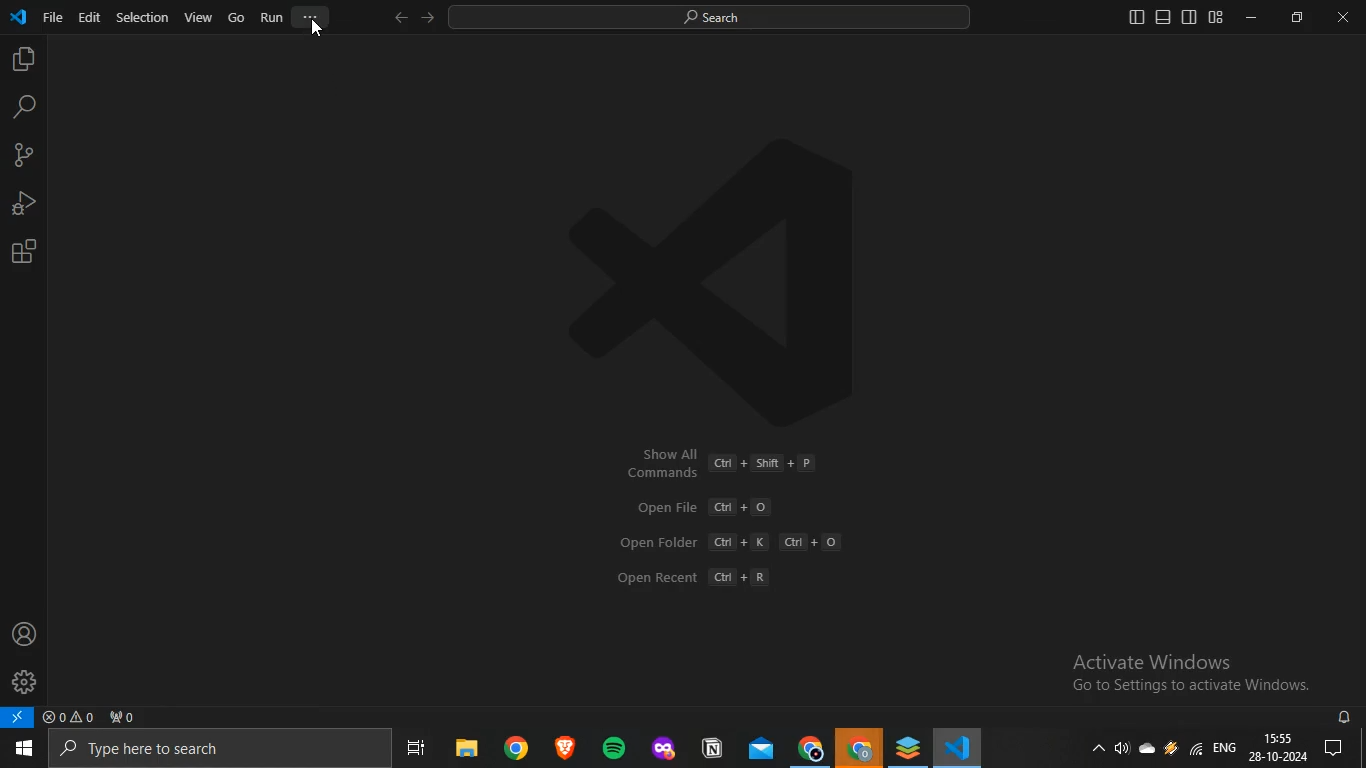 This screenshot has width=1366, height=768. Describe the element at coordinates (237, 17) in the screenshot. I see `go` at that location.